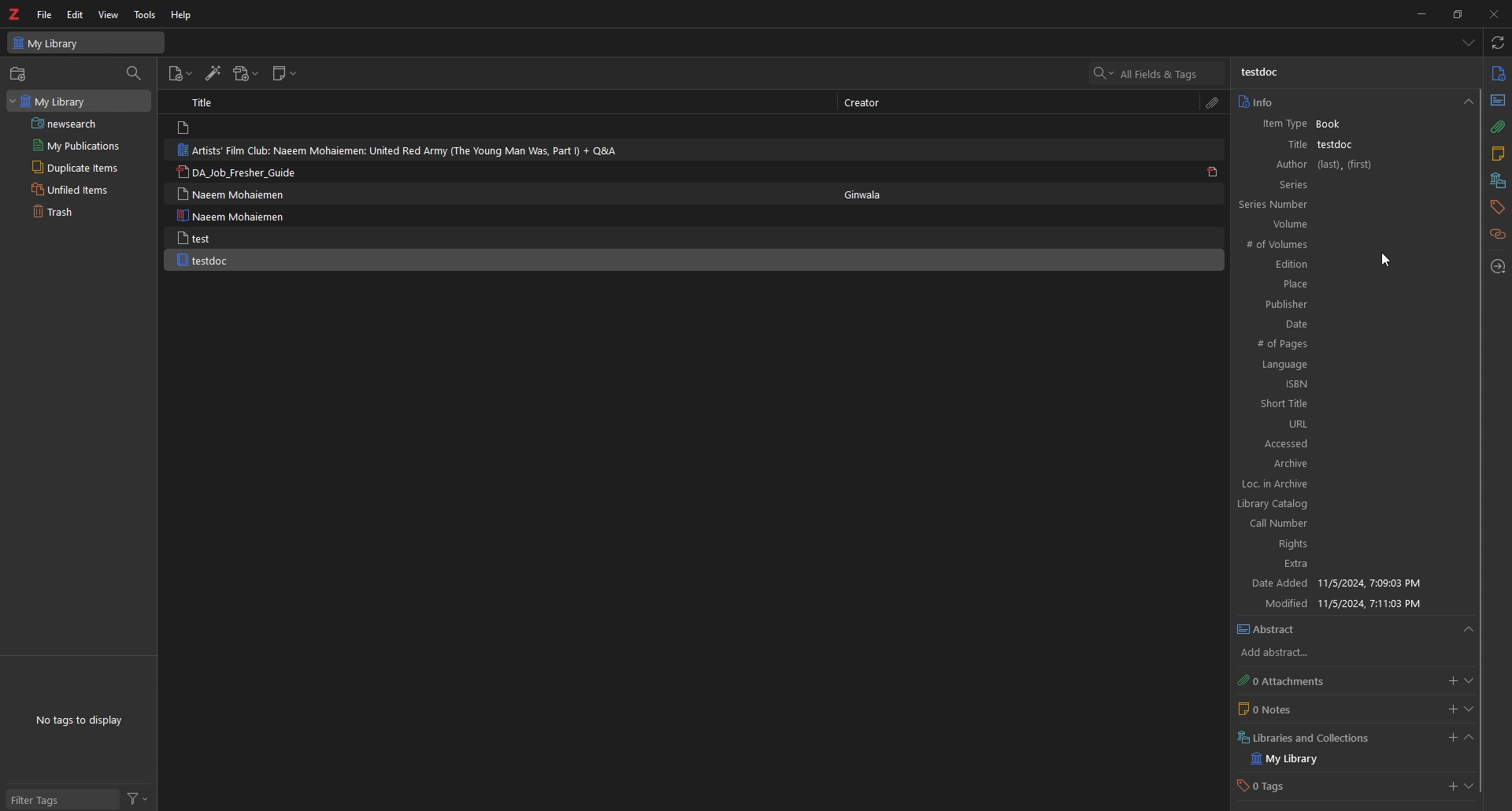  I want to click on abstract, so click(1497, 102).